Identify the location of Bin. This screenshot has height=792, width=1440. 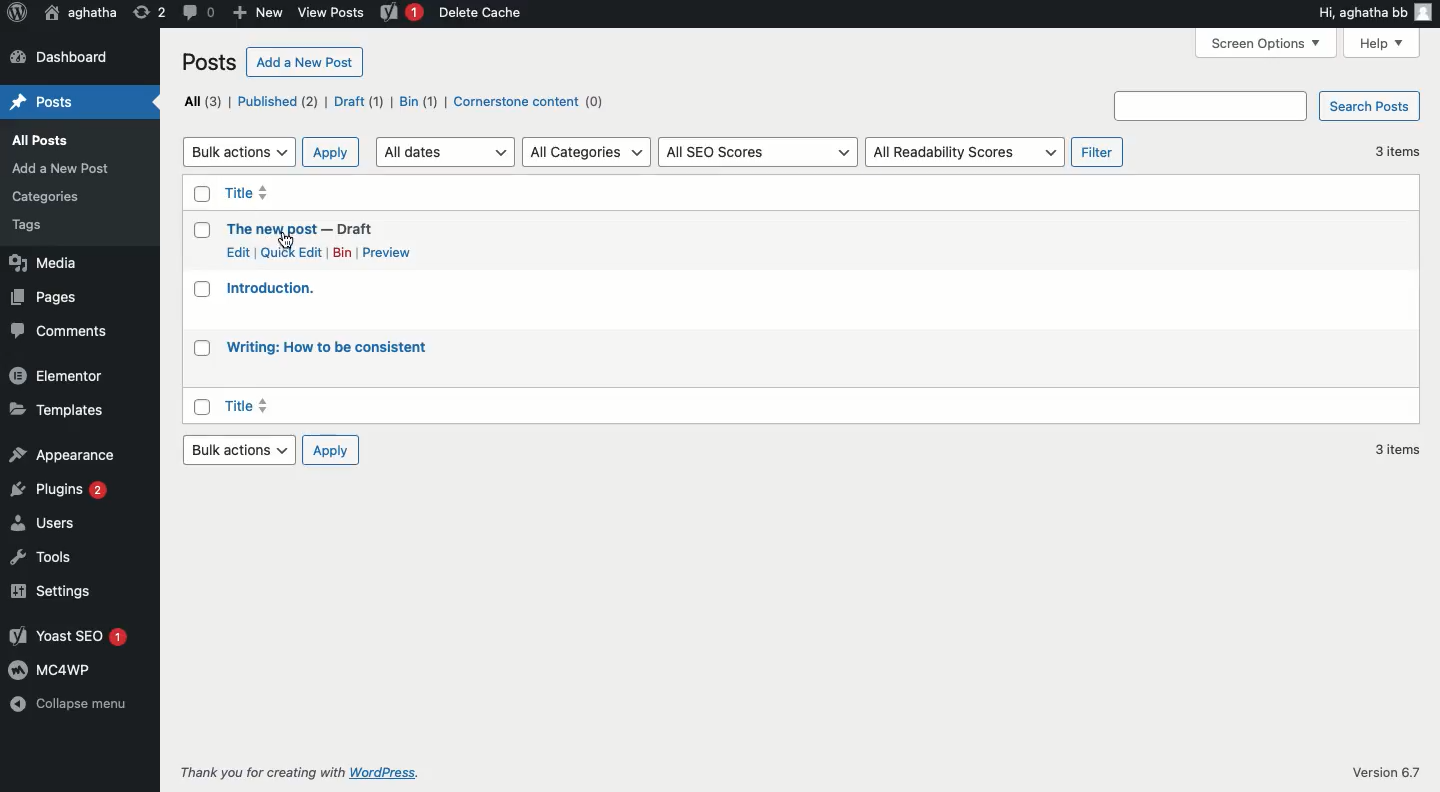
(417, 101).